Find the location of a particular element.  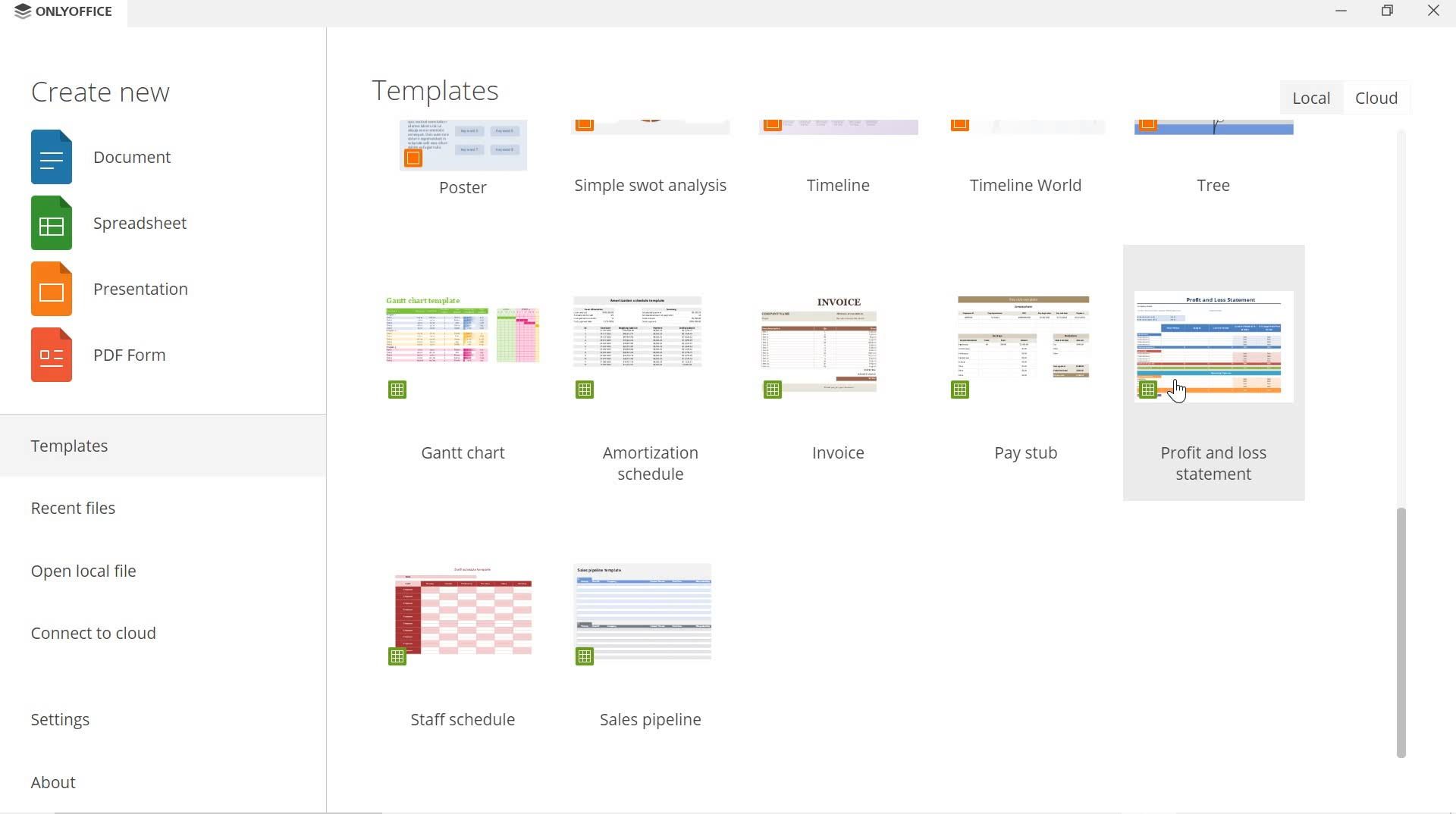

template design is located at coordinates (653, 133).